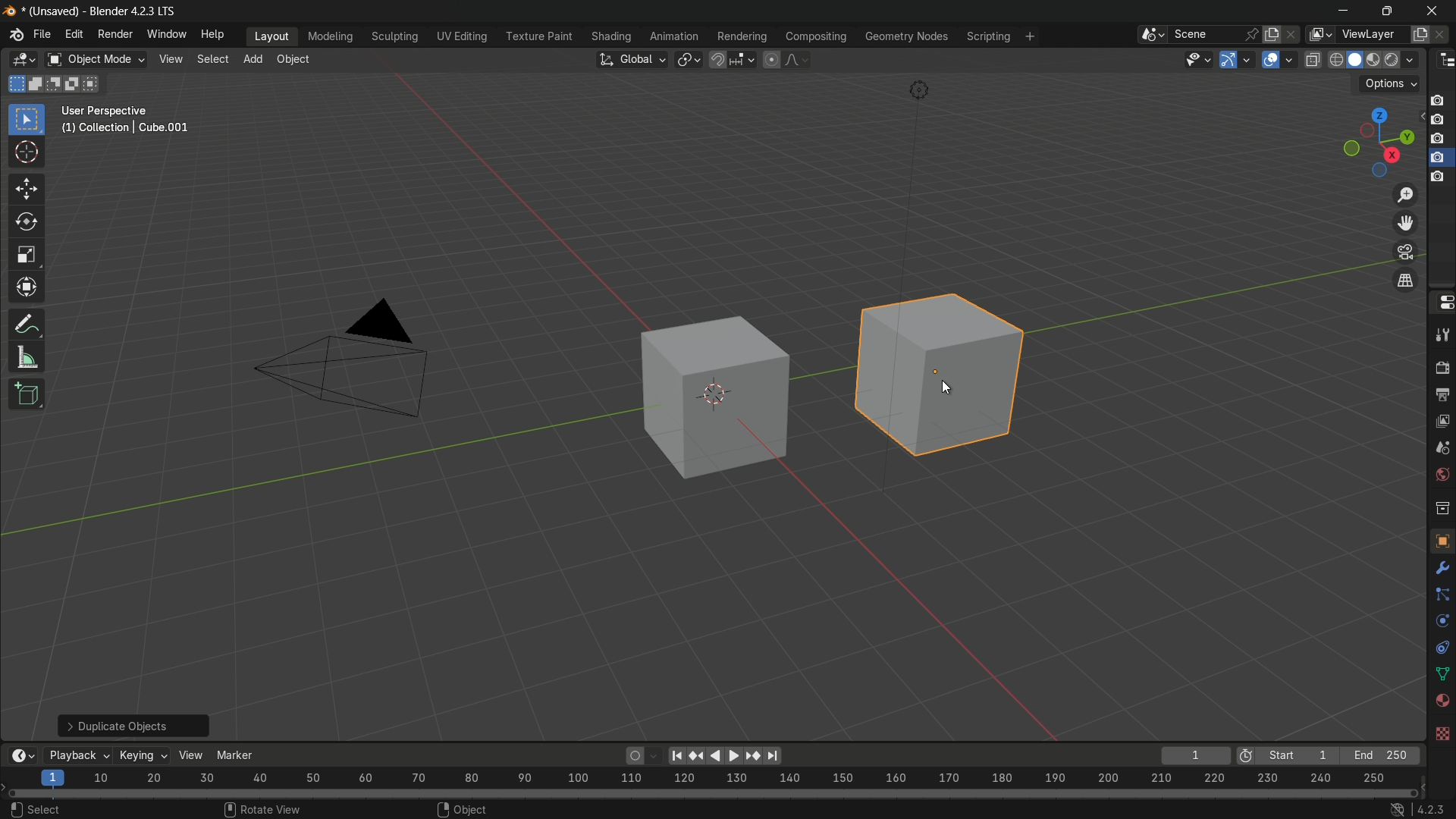  What do you see at coordinates (74, 35) in the screenshot?
I see `edit menu` at bounding box center [74, 35].